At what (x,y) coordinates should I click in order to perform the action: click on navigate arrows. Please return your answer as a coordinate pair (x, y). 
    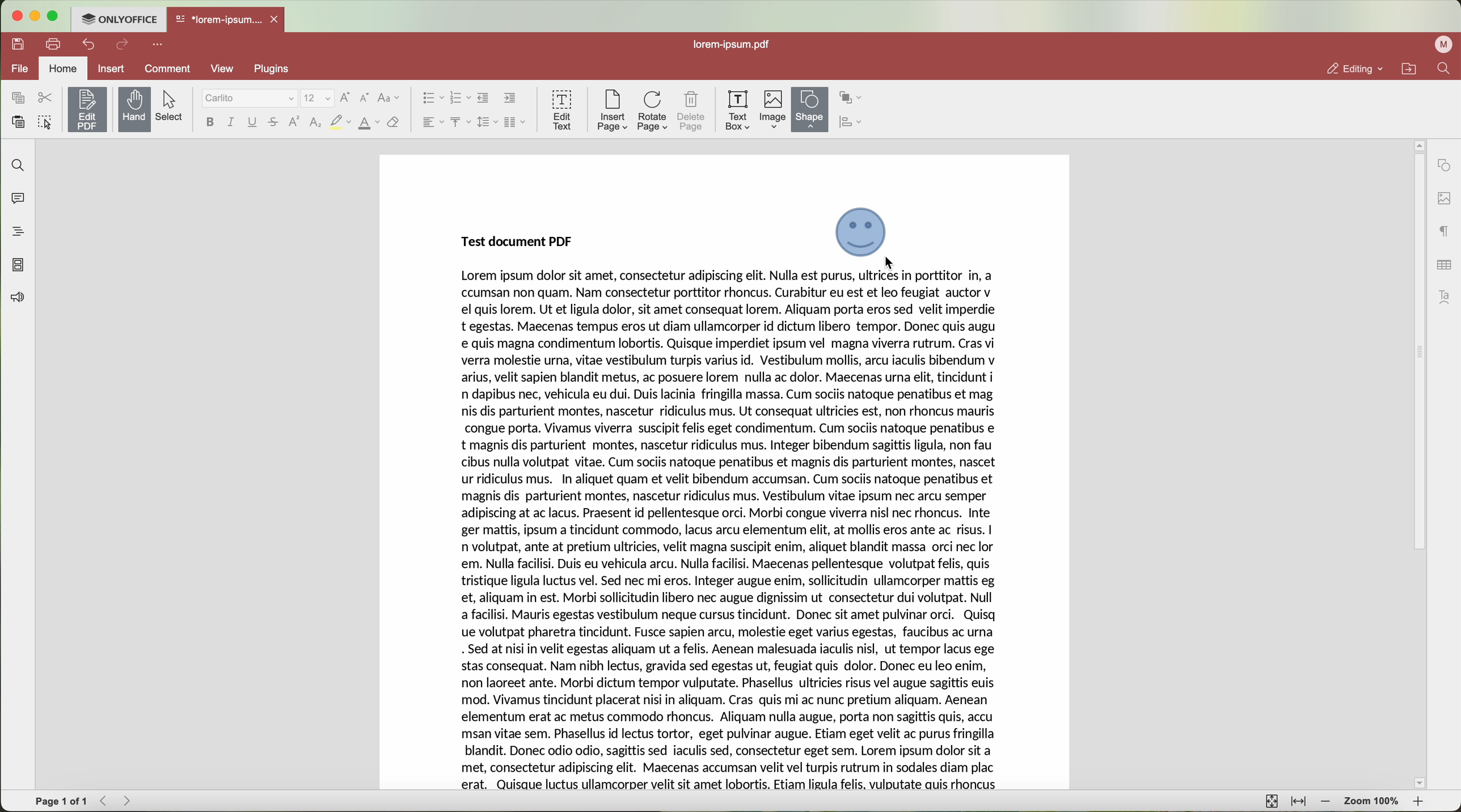
    Looking at the image, I should click on (118, 801).